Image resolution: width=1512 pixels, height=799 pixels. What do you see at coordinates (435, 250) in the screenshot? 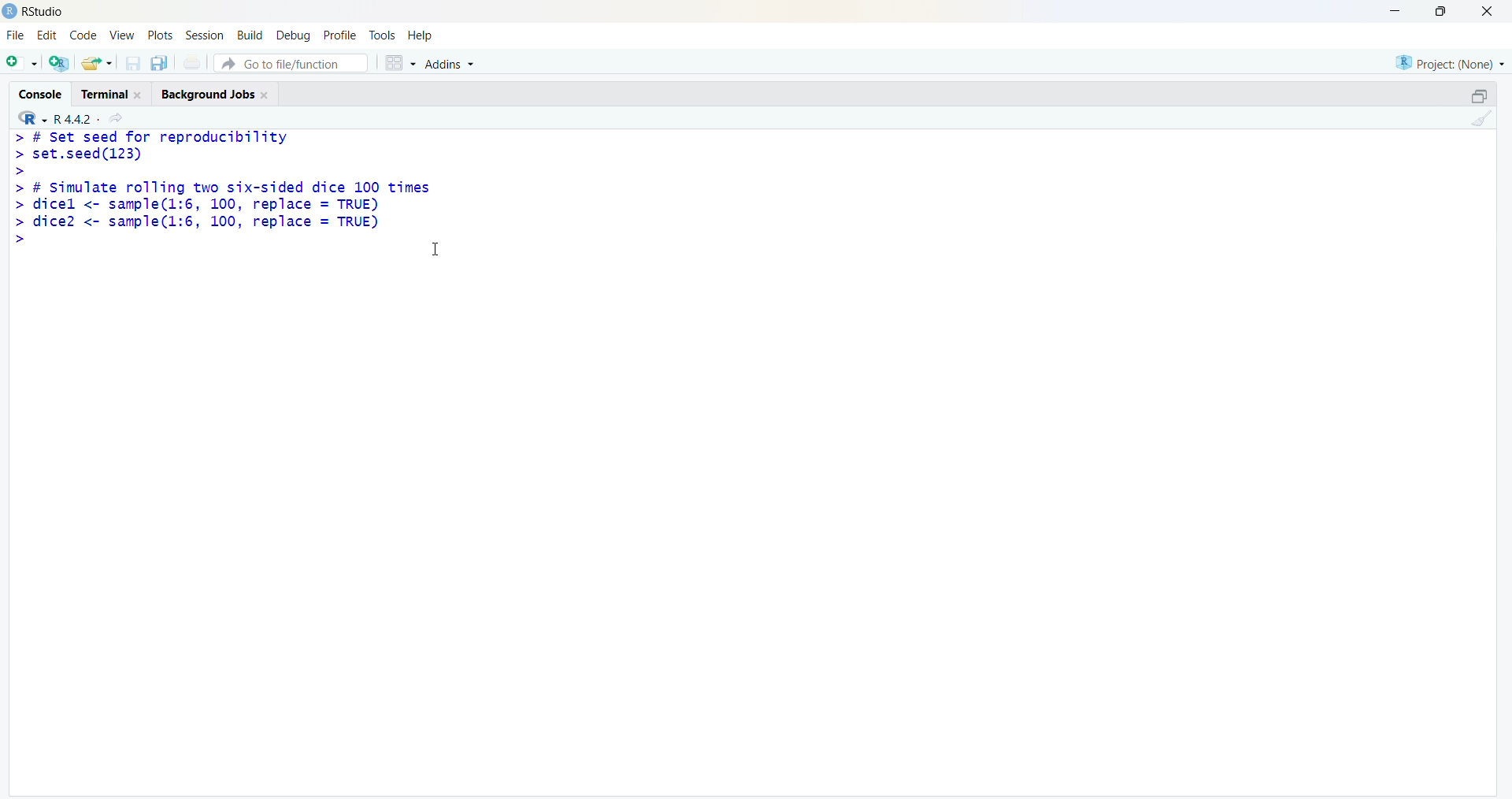
I see `cursor` at bounding box center [435, 250].